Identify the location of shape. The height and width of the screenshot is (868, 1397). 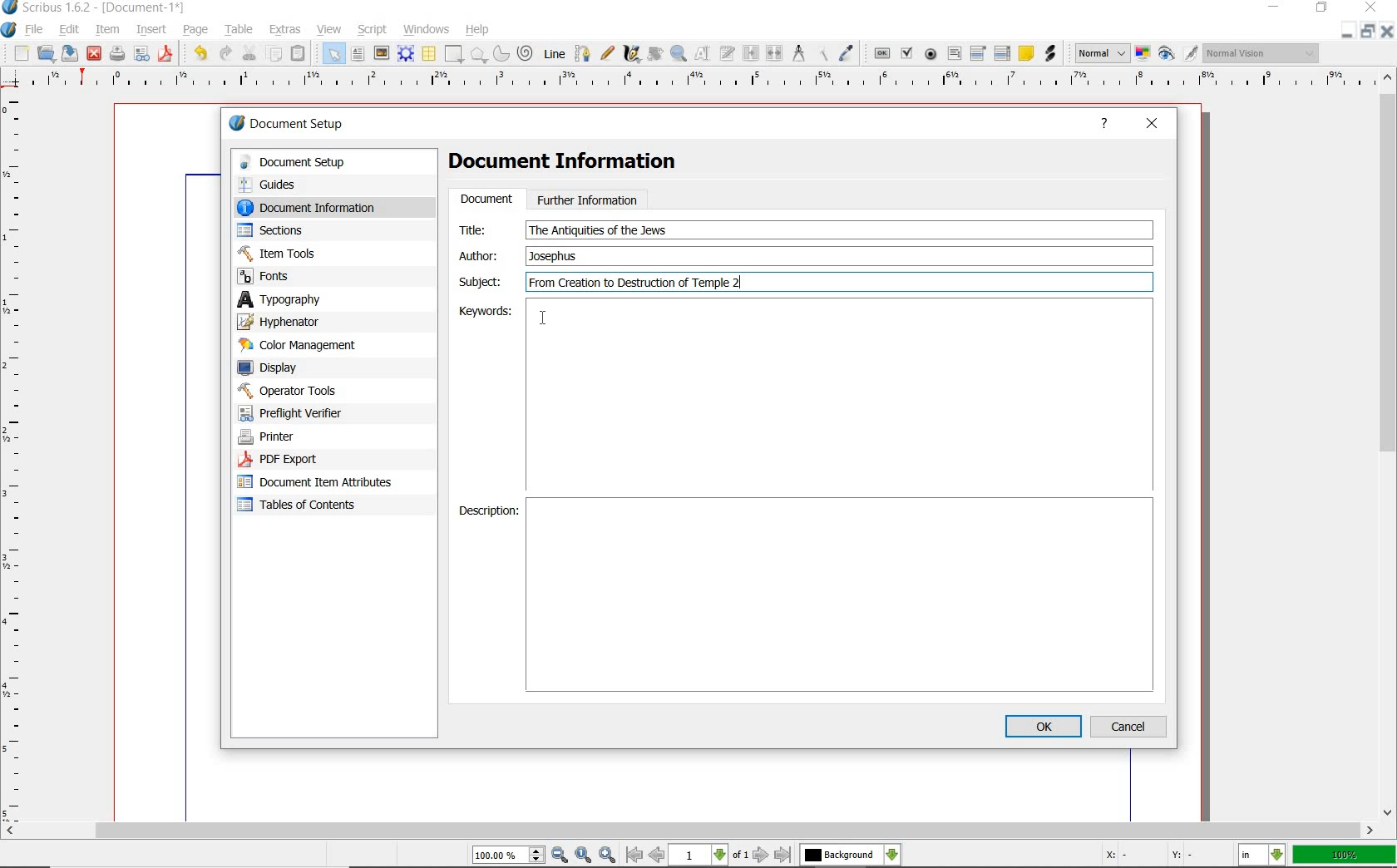
(454, 53).